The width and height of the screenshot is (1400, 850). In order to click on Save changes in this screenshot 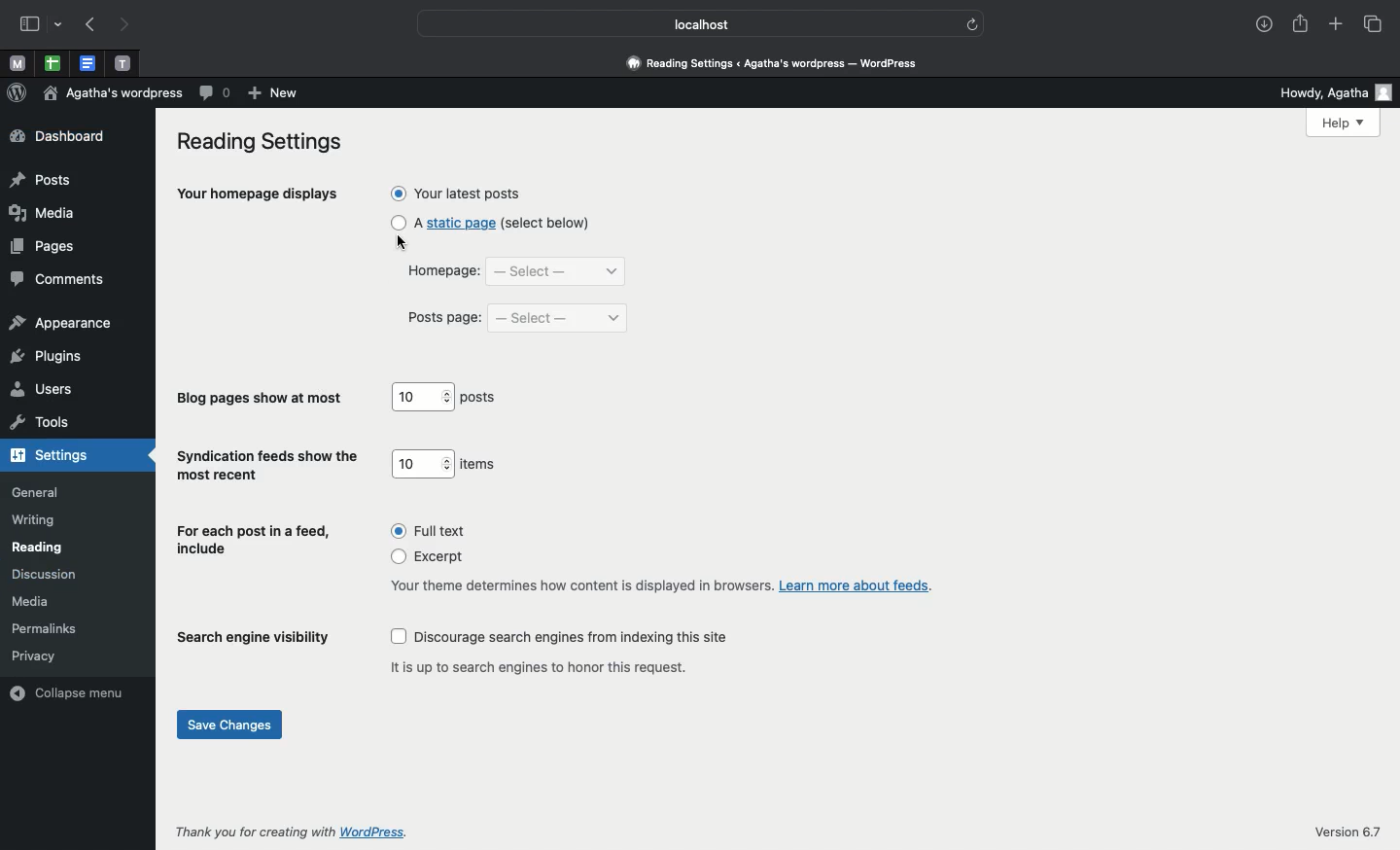, I will do `click(231, 726)`.